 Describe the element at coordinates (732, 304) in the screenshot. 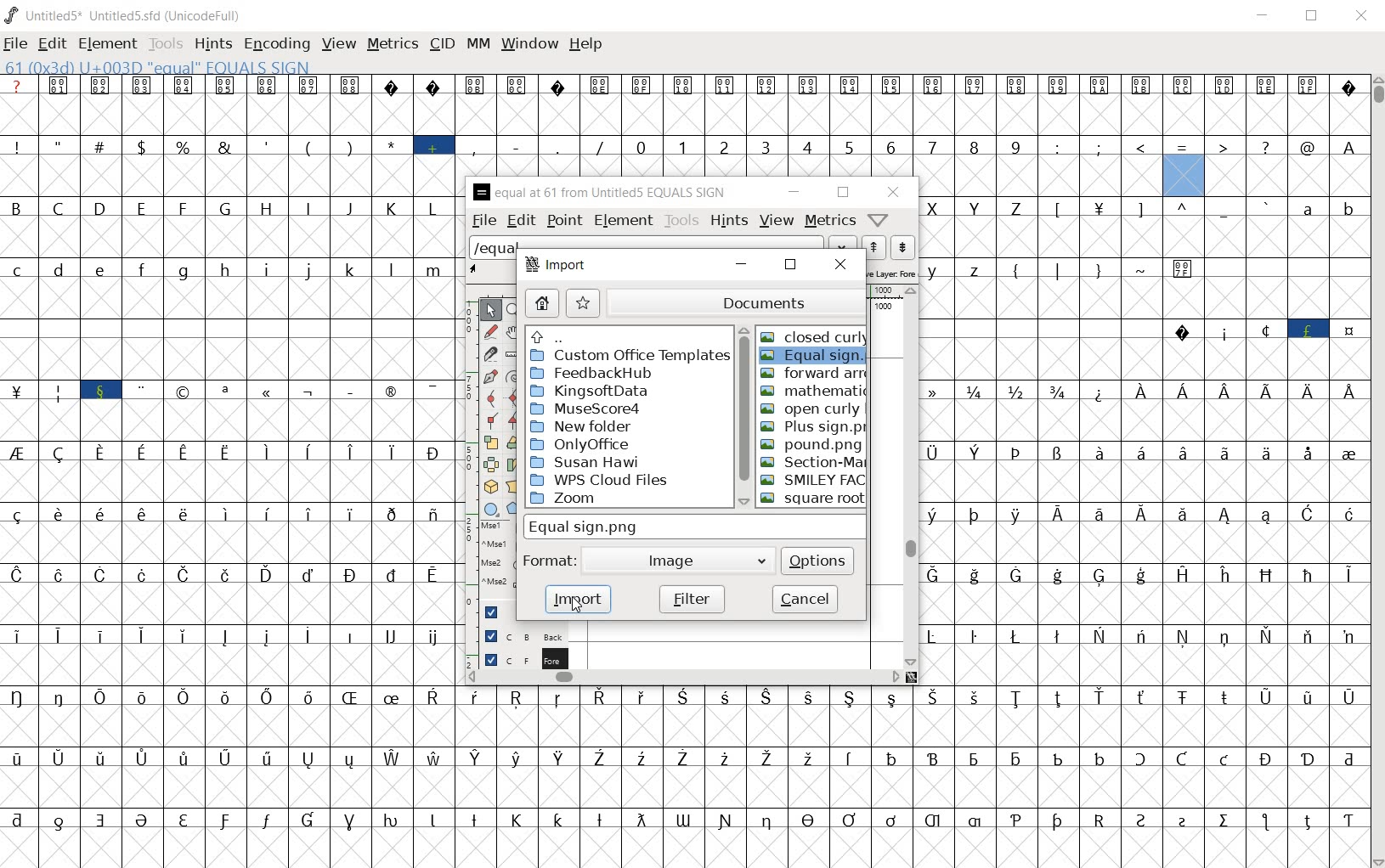

I see `documents` at that location.